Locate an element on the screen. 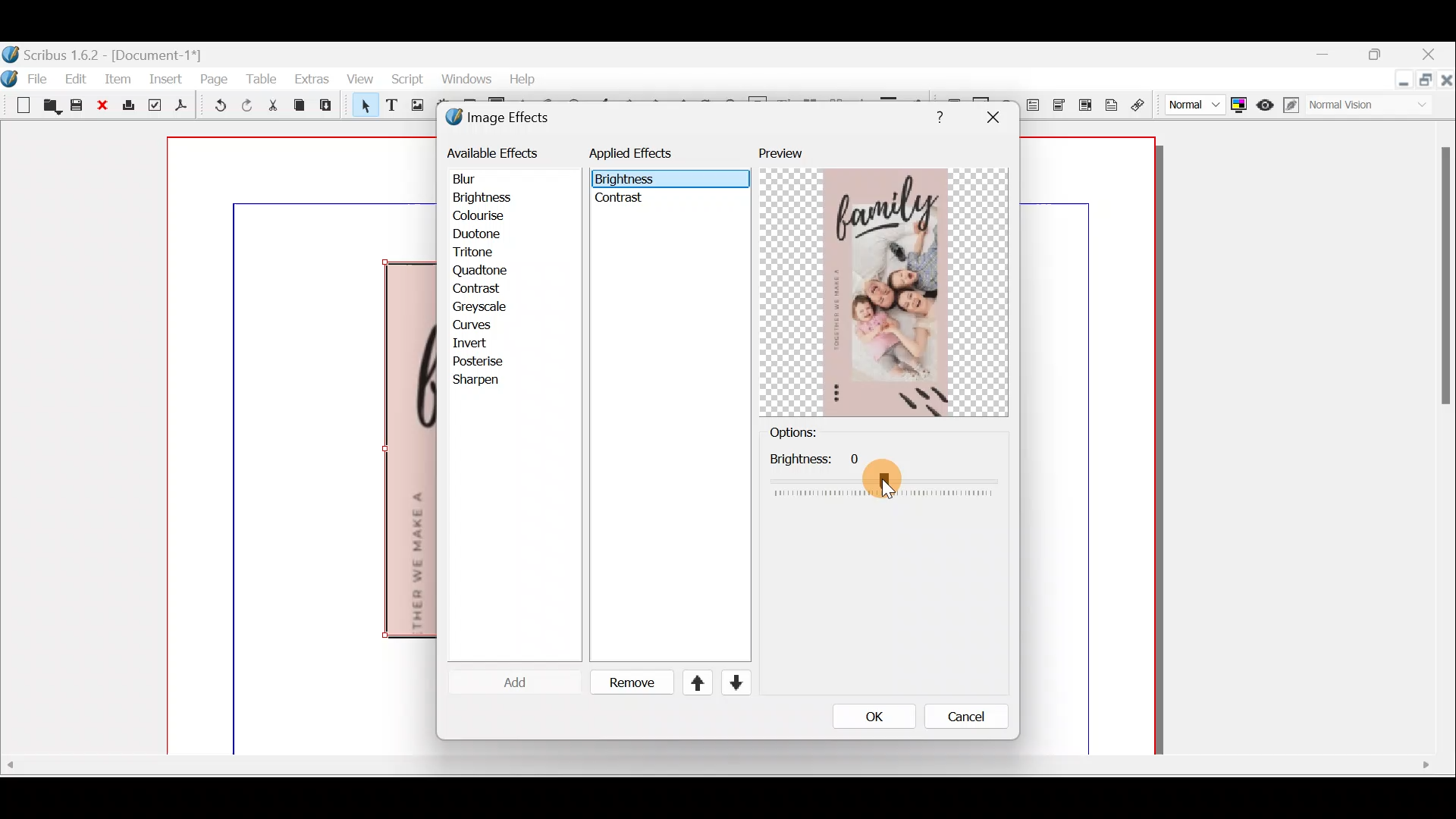  Blur is located at coordinates (479, 179).